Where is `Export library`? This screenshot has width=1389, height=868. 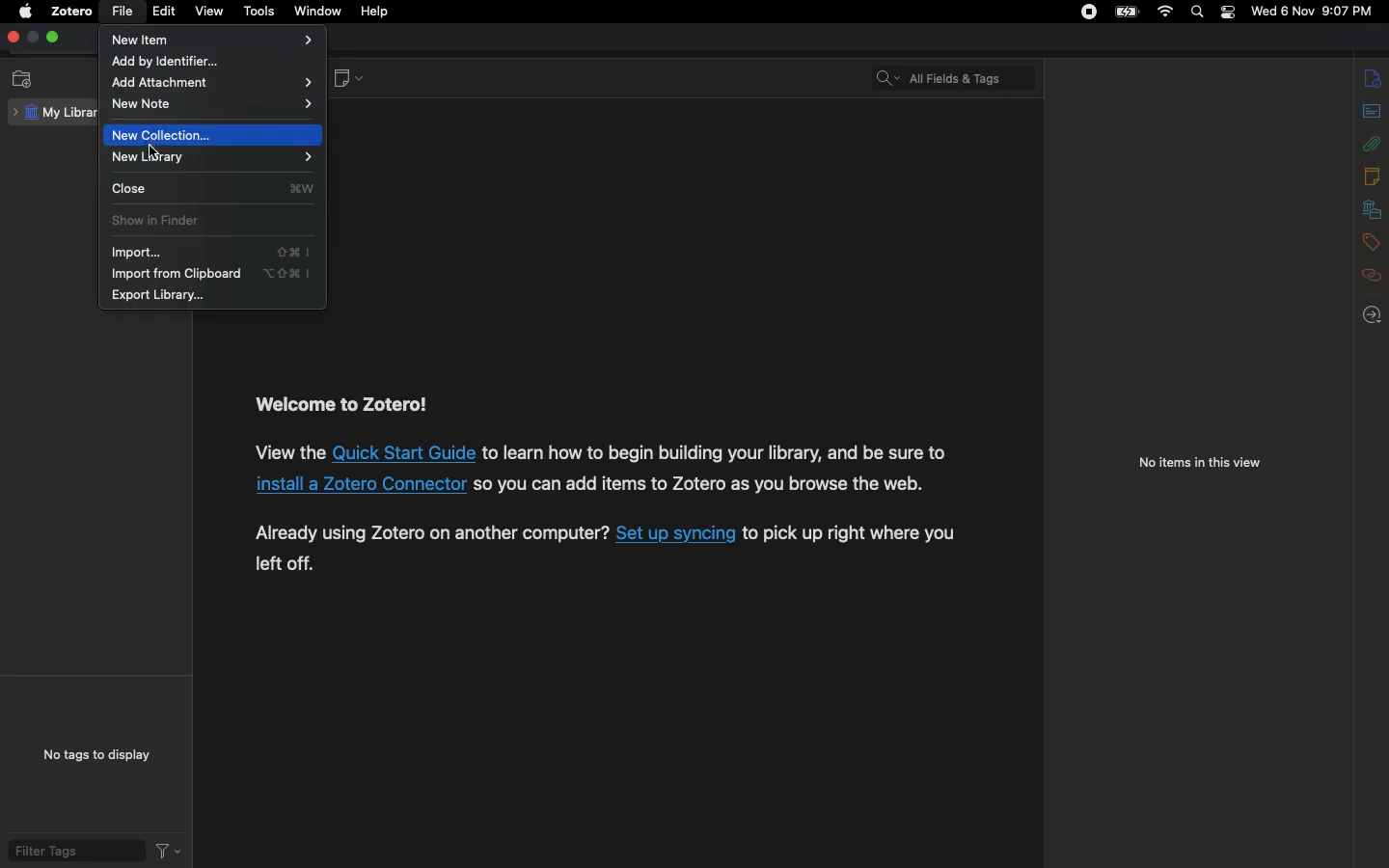
Export library is located at coordinates (161, 296).